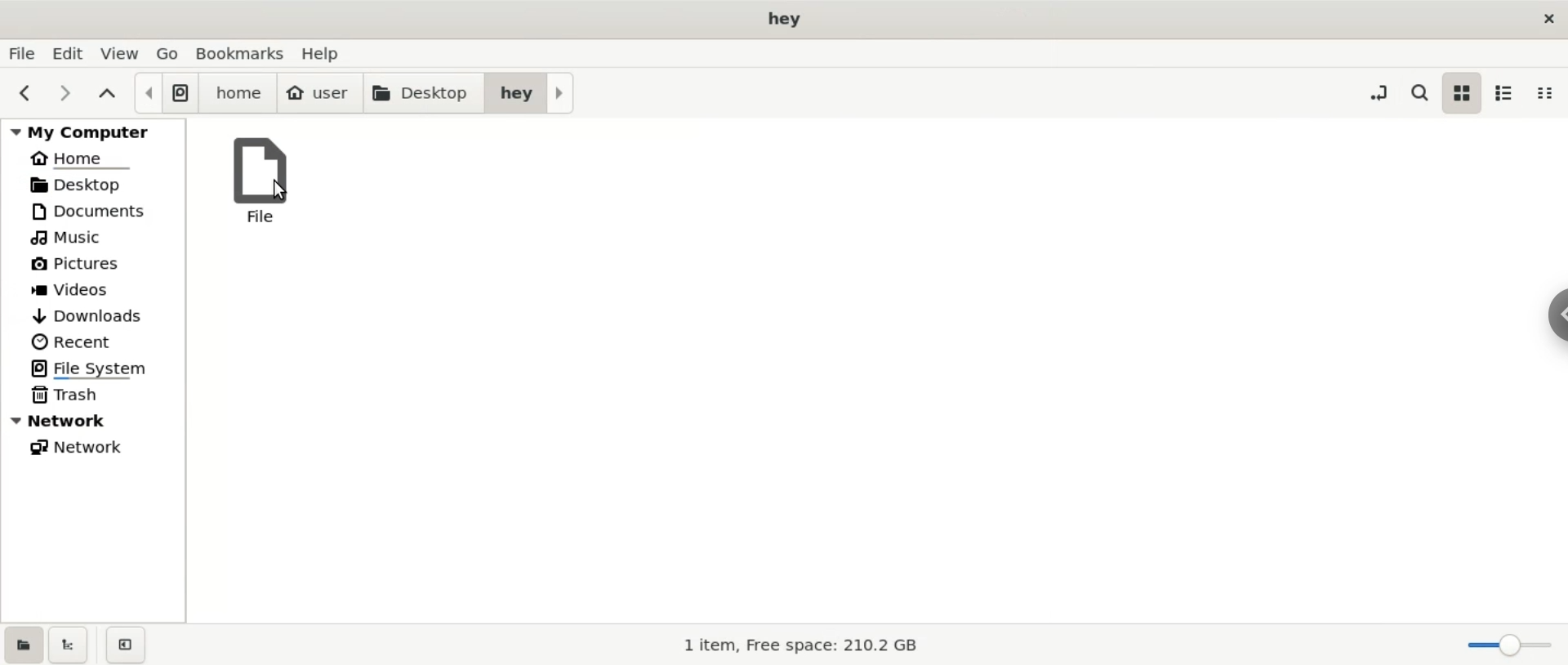  I want to click on home, so click(93, 155).